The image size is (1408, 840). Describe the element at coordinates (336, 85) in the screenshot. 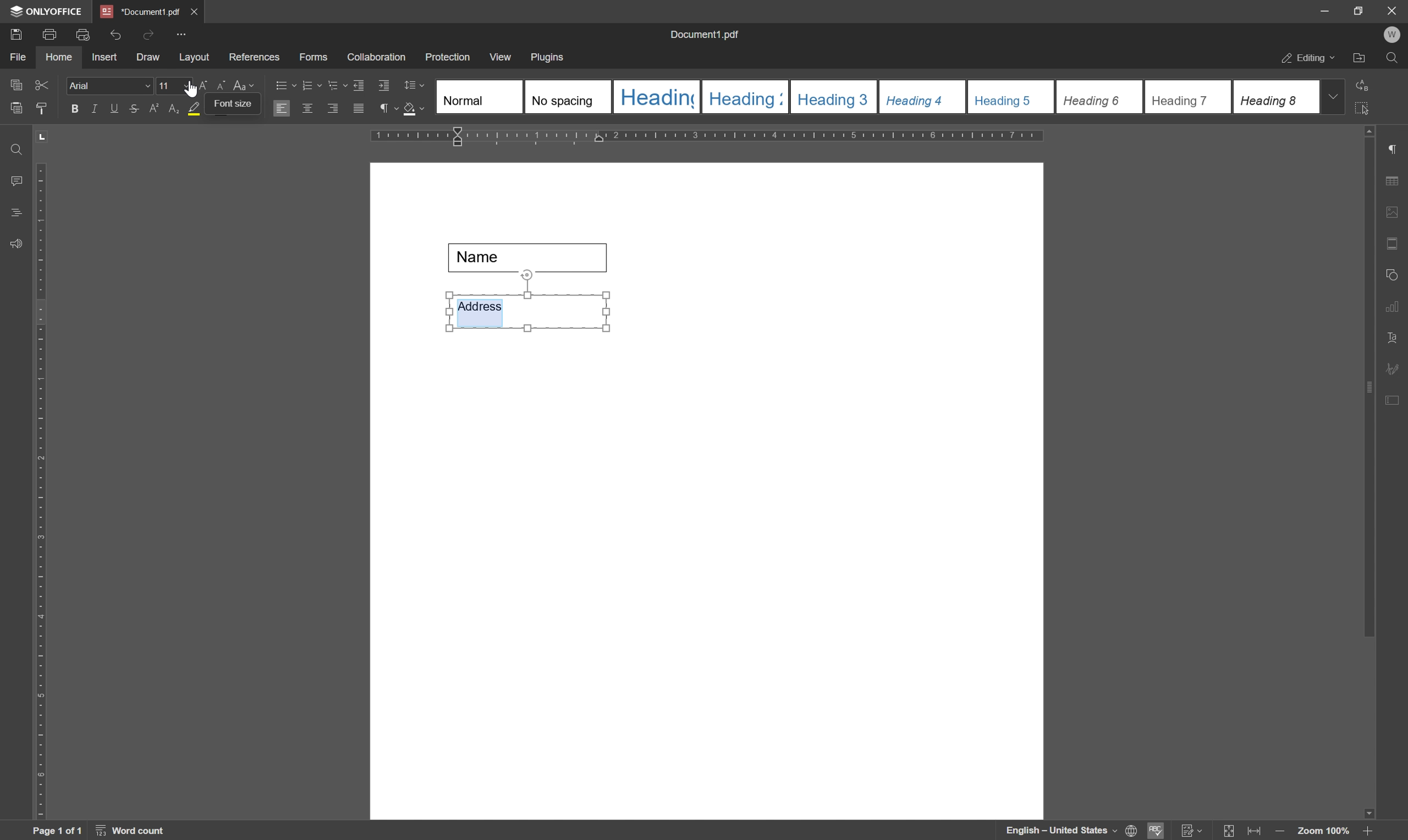

I see `multilevel list` at that location.